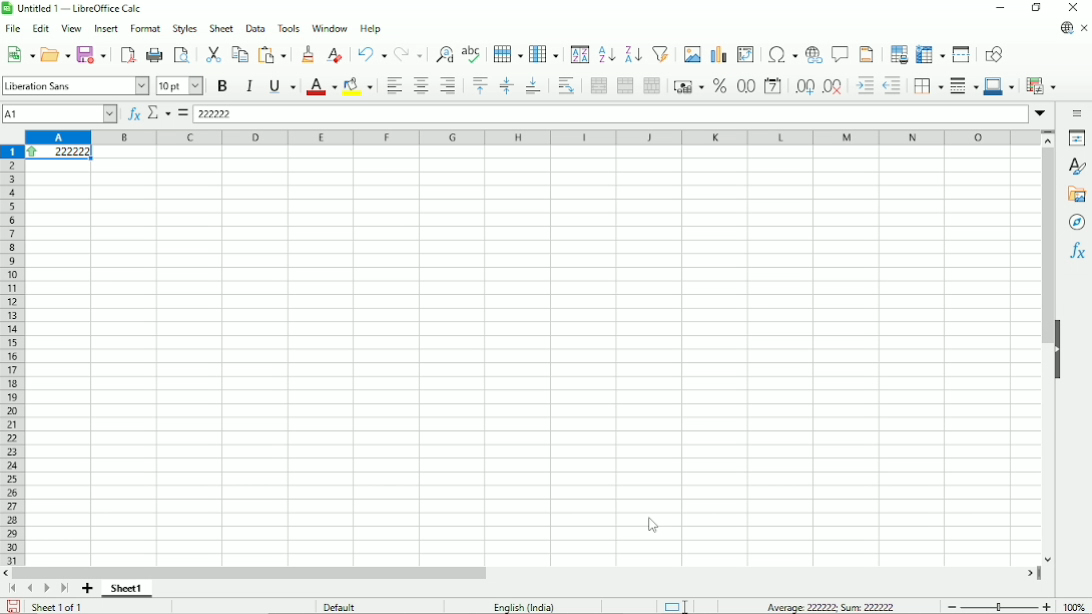  Describe the element at coordinates (803, 87) in the screenshot. I see `Add decimal place` at that location.